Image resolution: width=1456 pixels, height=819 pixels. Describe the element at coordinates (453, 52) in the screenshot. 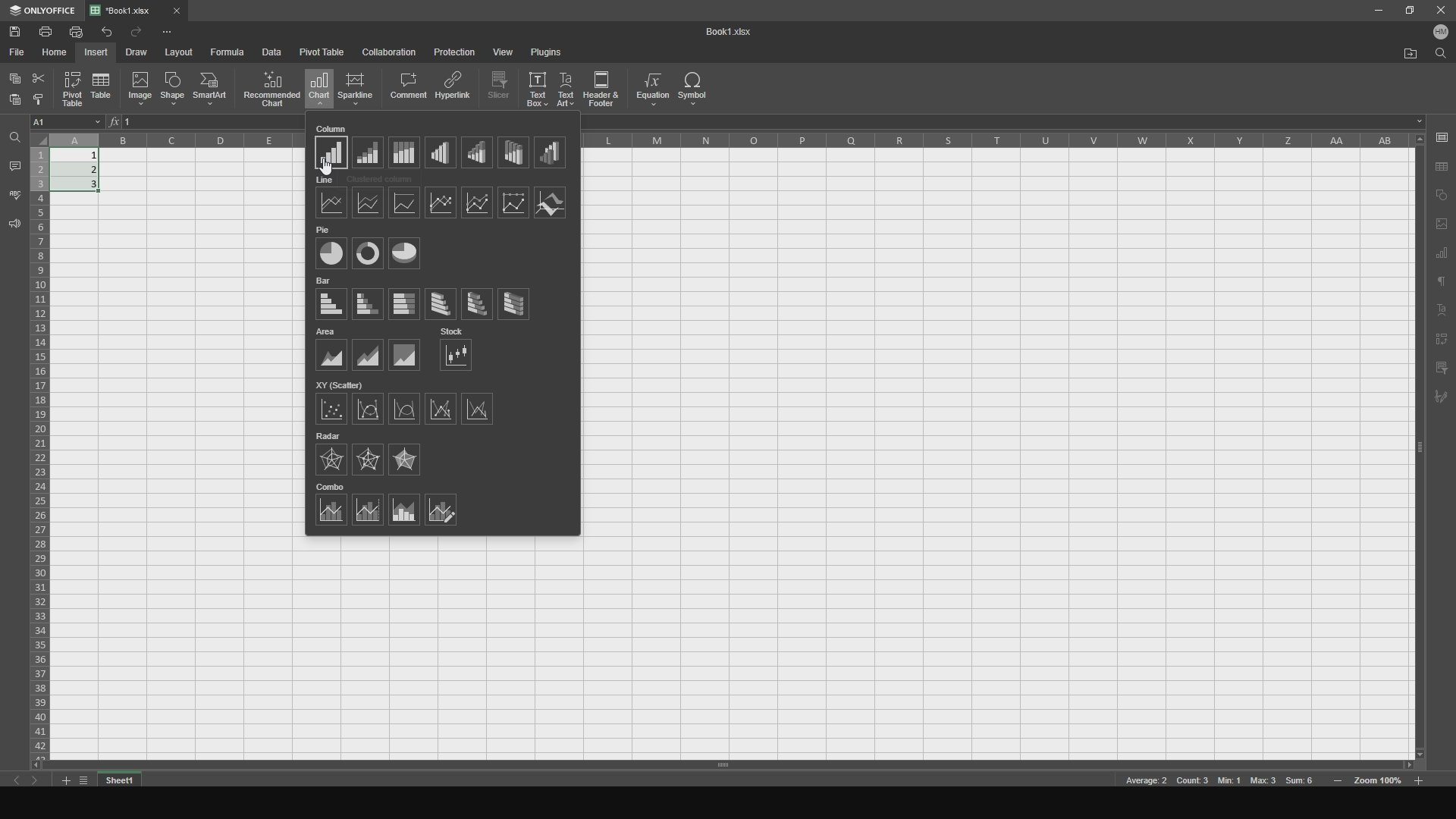

I see `protection` at that location.